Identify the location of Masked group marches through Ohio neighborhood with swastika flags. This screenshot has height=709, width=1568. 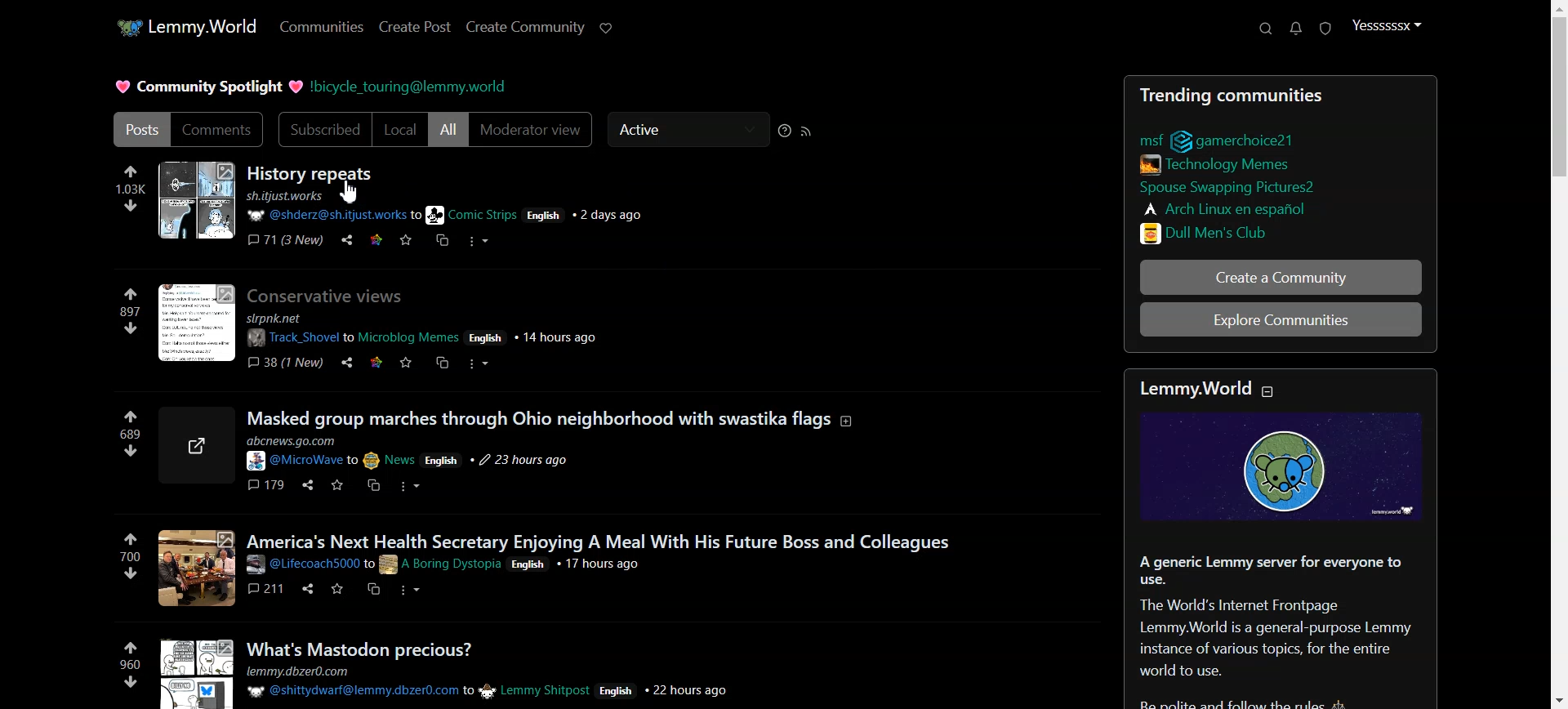
(551, 418).